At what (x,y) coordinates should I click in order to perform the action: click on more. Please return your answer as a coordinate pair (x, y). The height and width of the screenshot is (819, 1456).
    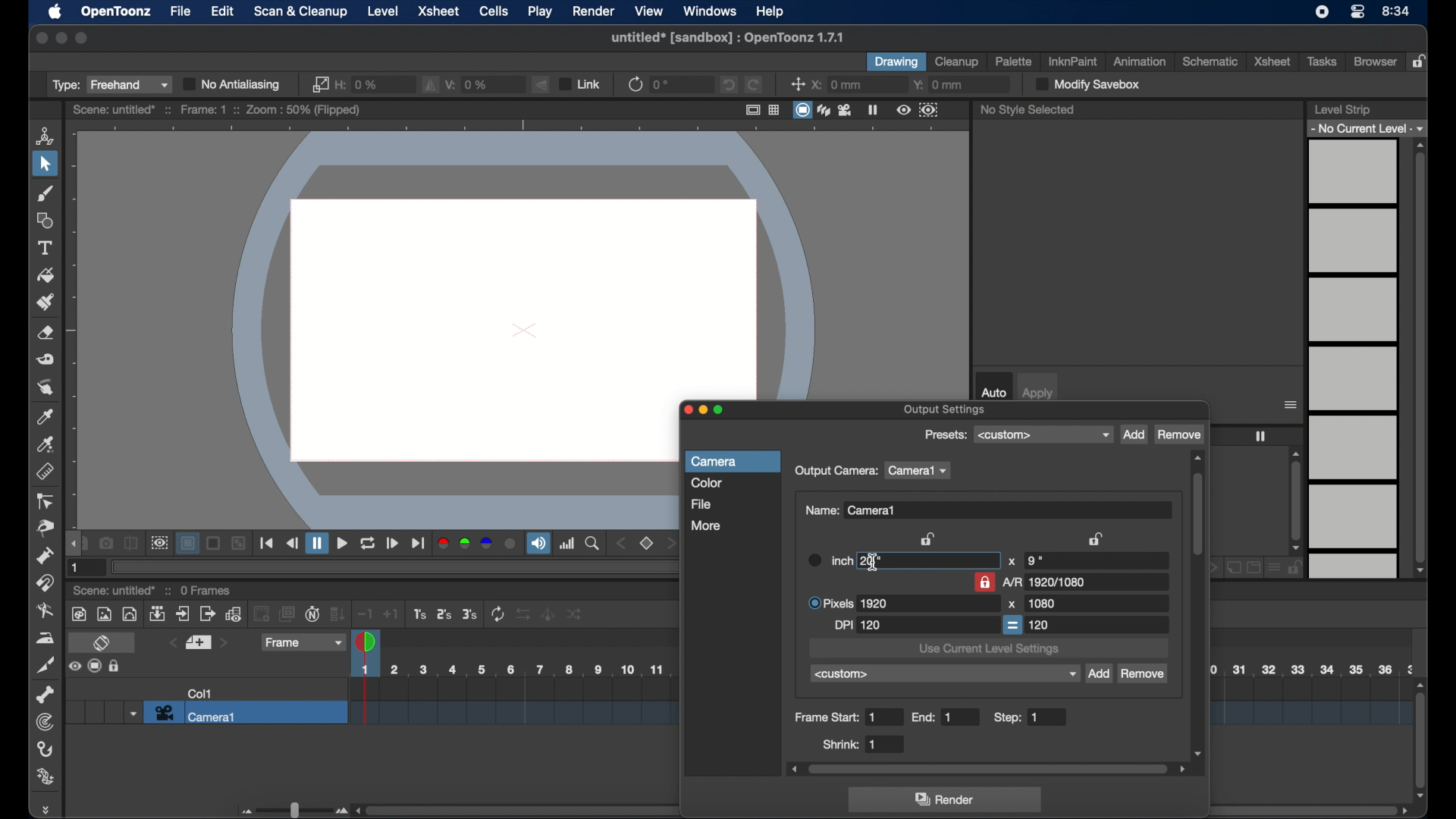
    Looking at the image, I should click on (706, 525).